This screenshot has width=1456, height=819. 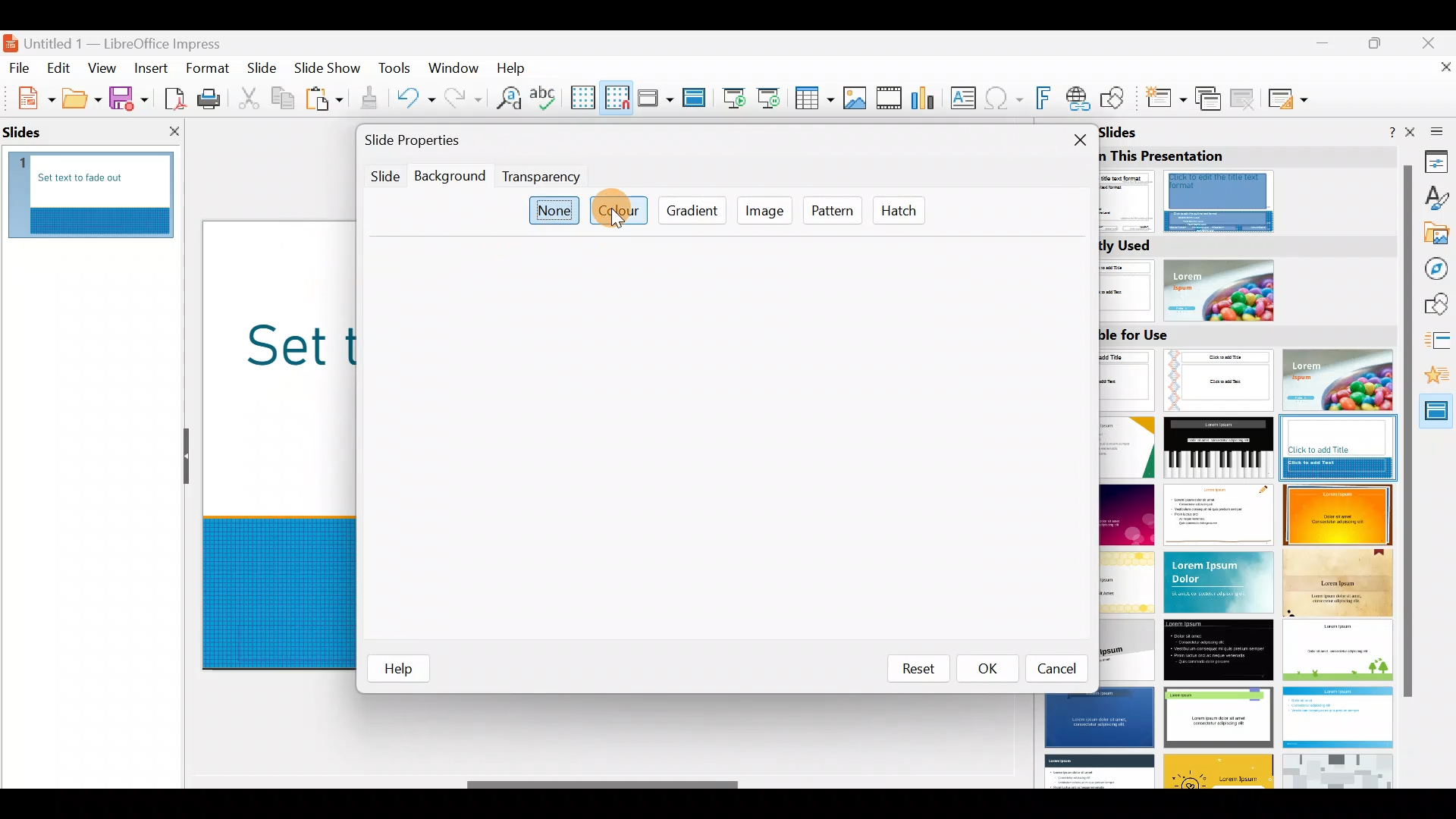 What do you see at coordinates (1438, 236) in the screenshot?
I see `Gallery` at bounding box center [1438, 236].